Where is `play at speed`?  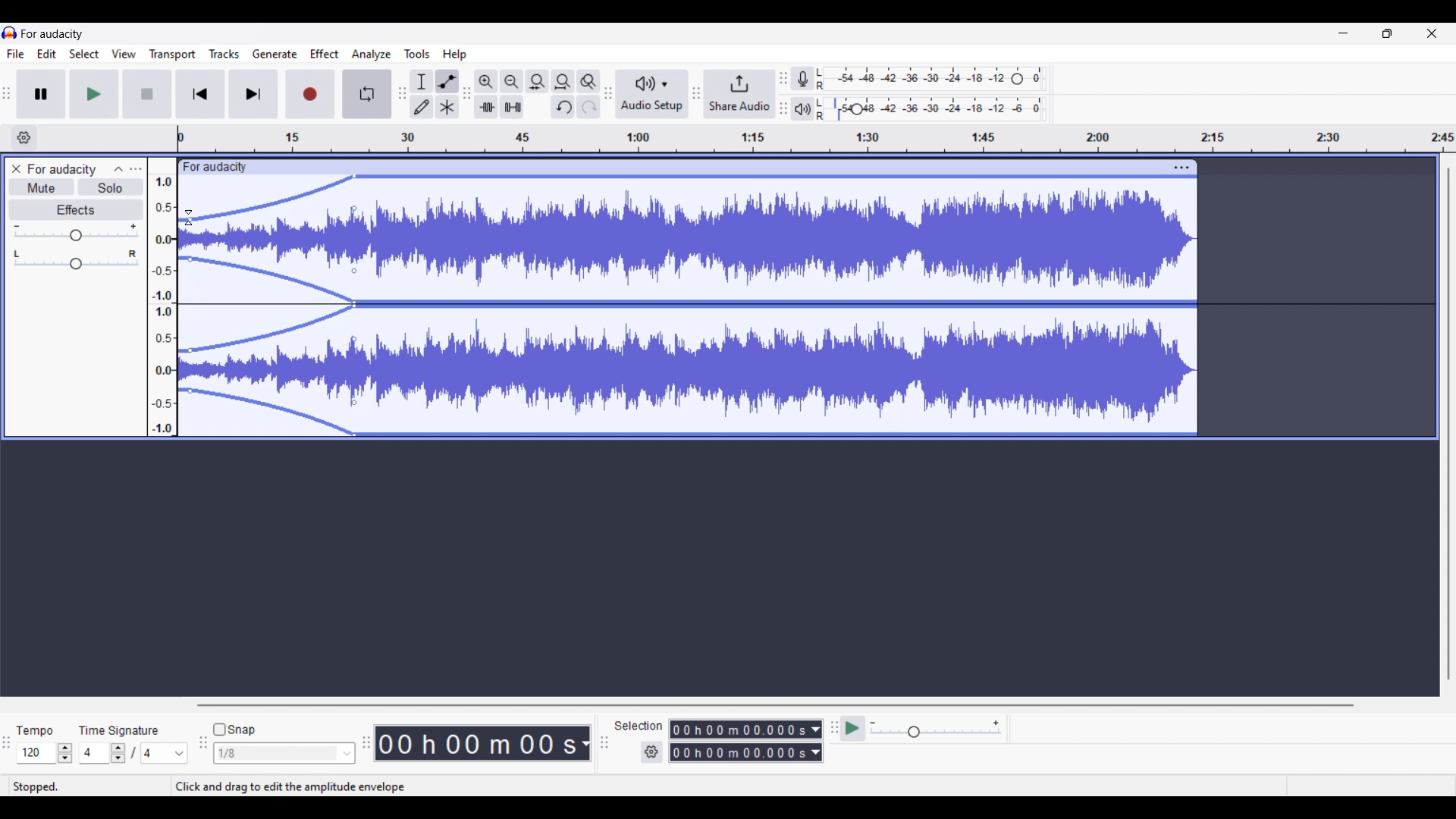 play at speed is located at coordinates (853, 728).